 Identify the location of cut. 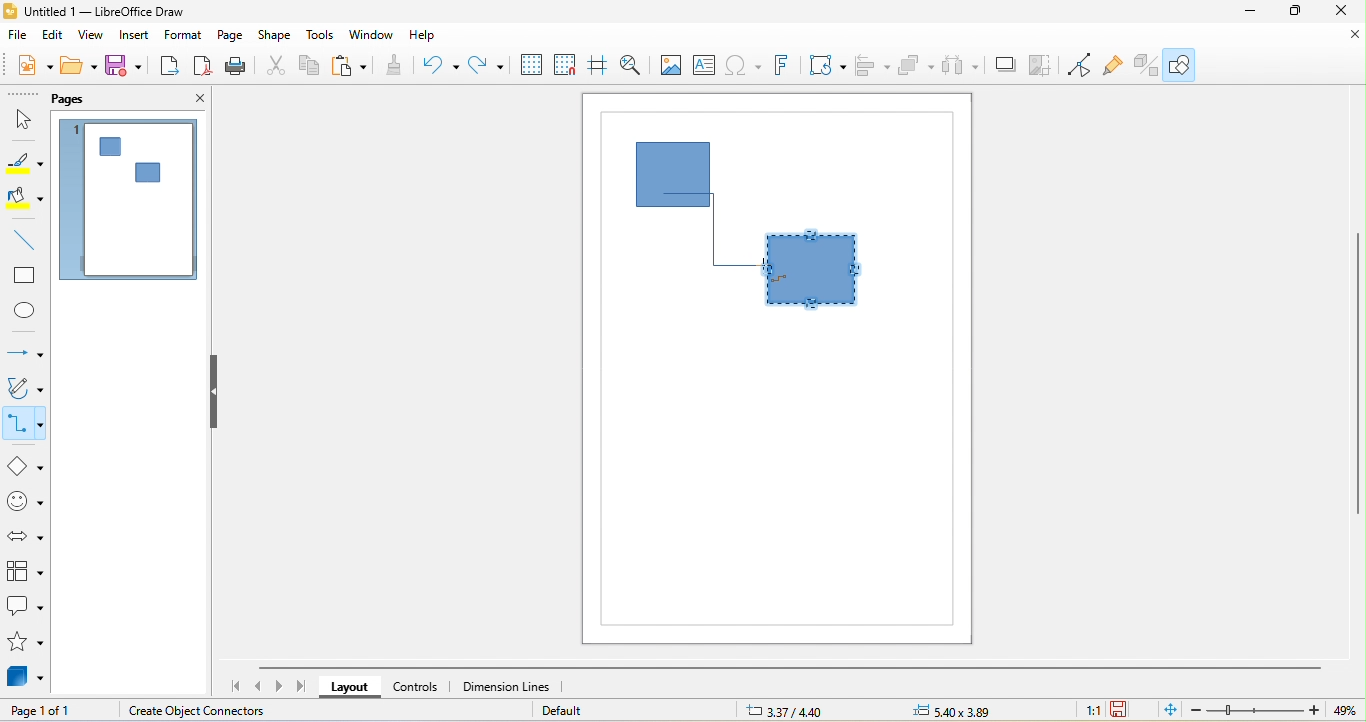
(275, 67).